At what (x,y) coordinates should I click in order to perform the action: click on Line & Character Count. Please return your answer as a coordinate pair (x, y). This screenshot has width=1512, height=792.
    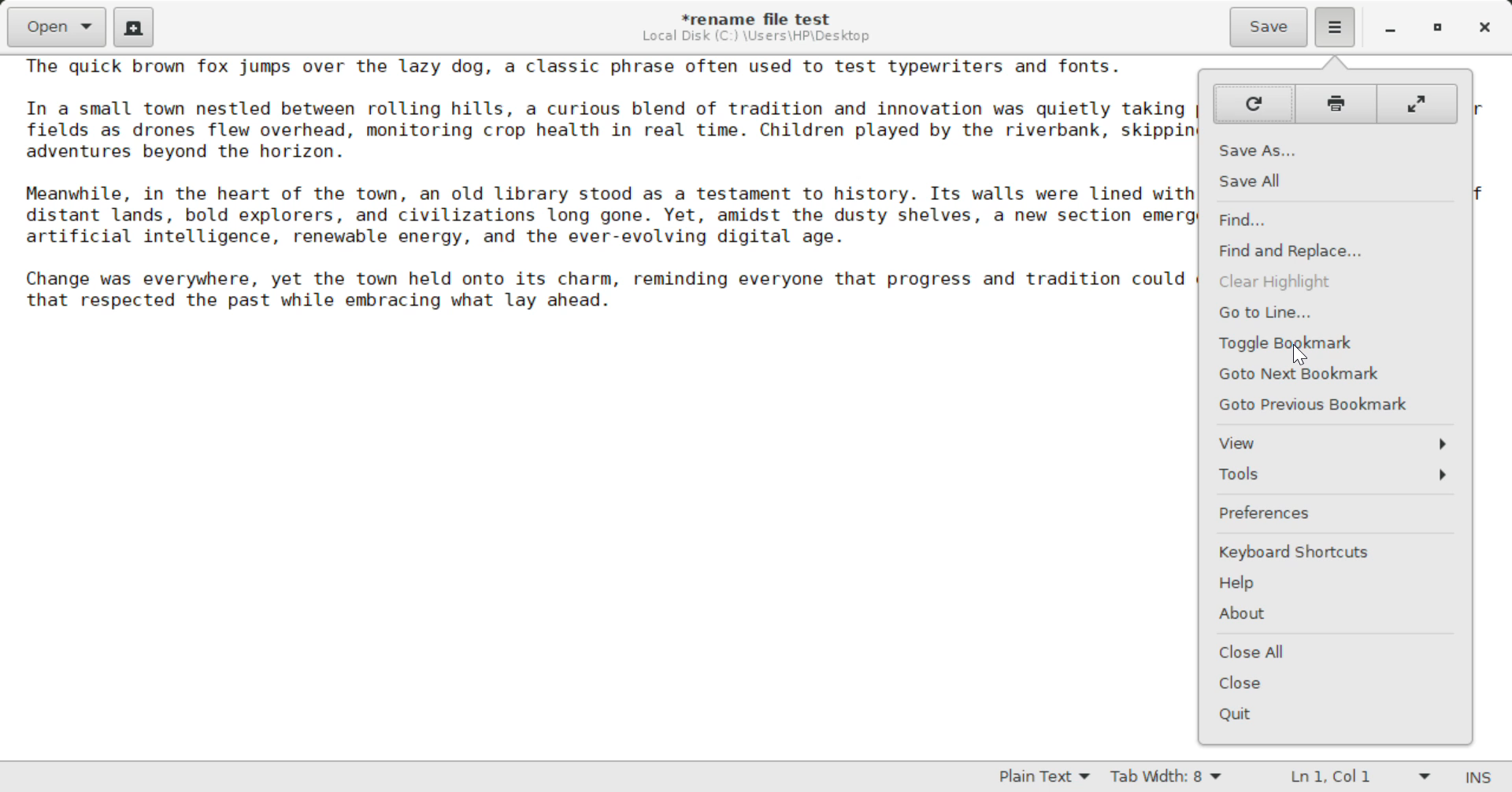
    Looking at the image, I should click on (1354, 776).